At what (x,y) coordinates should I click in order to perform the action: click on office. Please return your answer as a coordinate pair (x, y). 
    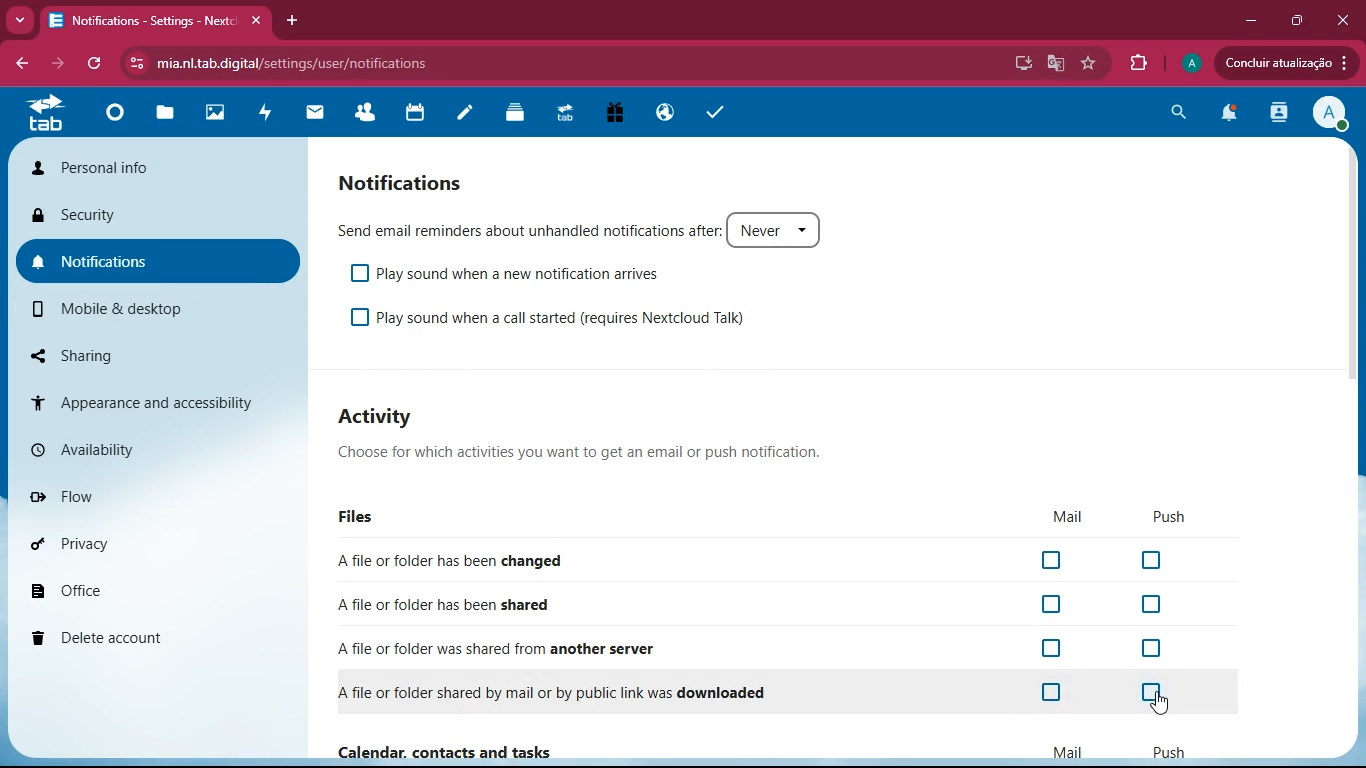
    Looking at the image, I should click on (139, 592).